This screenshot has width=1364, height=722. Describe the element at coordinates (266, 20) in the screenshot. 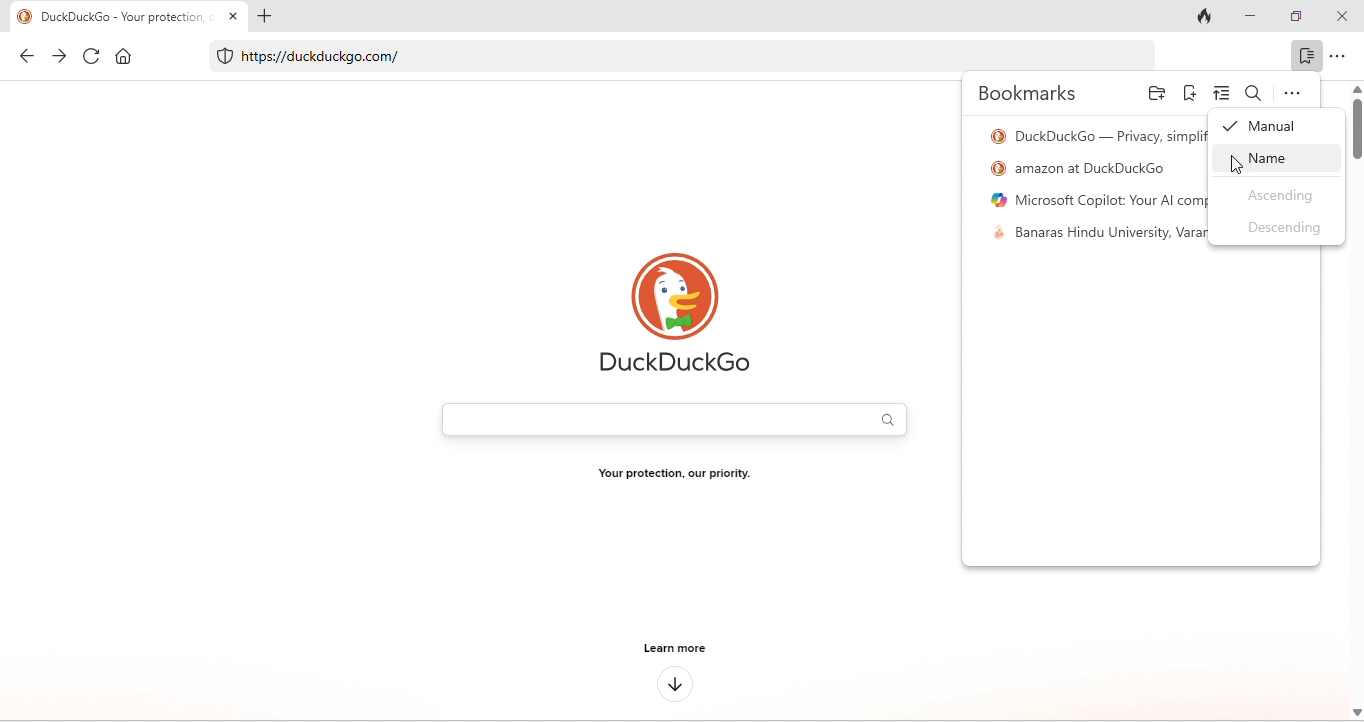

I see `add` at that location.